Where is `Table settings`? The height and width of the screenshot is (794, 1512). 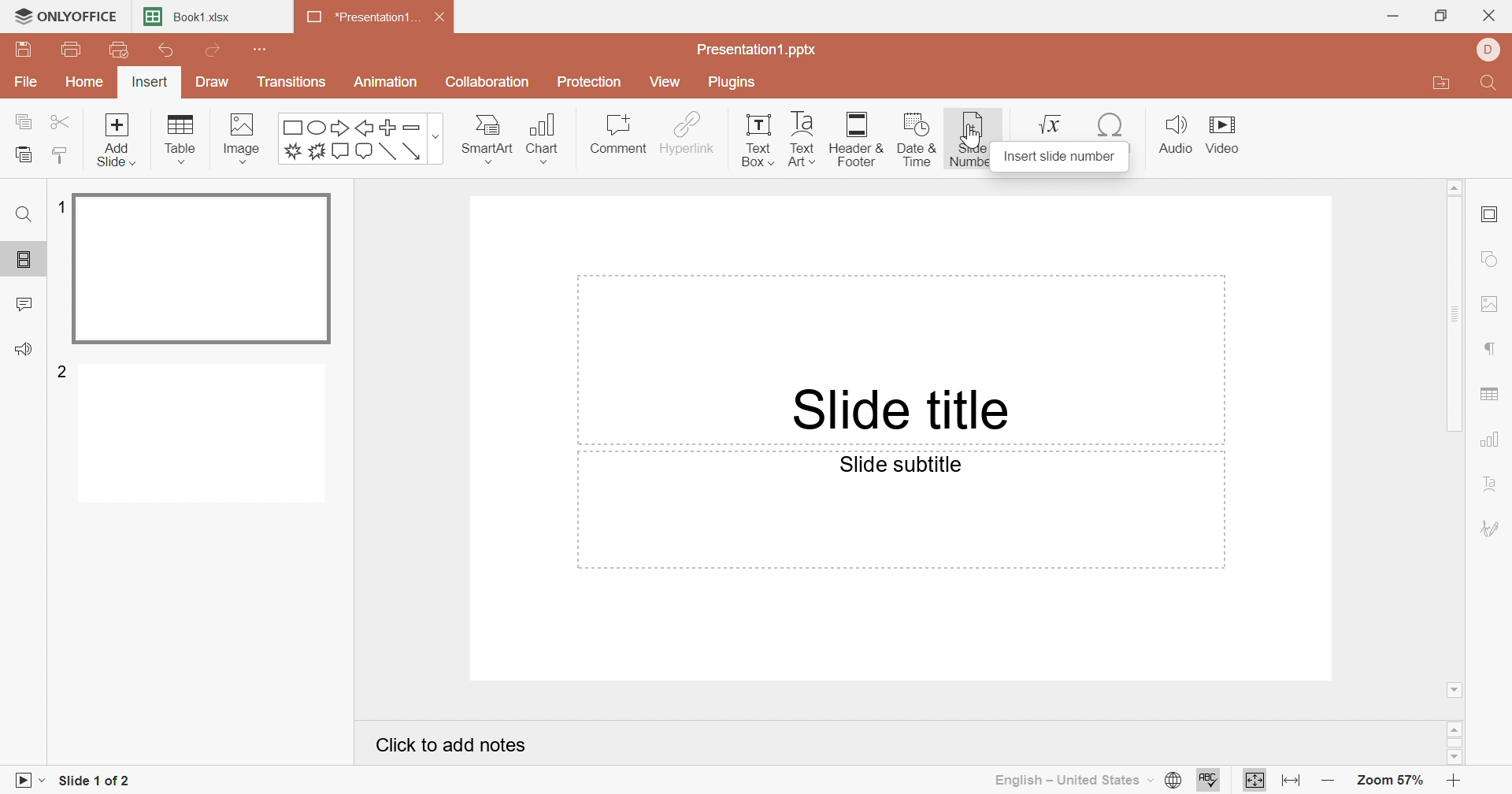 Table settings is located at coordinates (1491, 396).